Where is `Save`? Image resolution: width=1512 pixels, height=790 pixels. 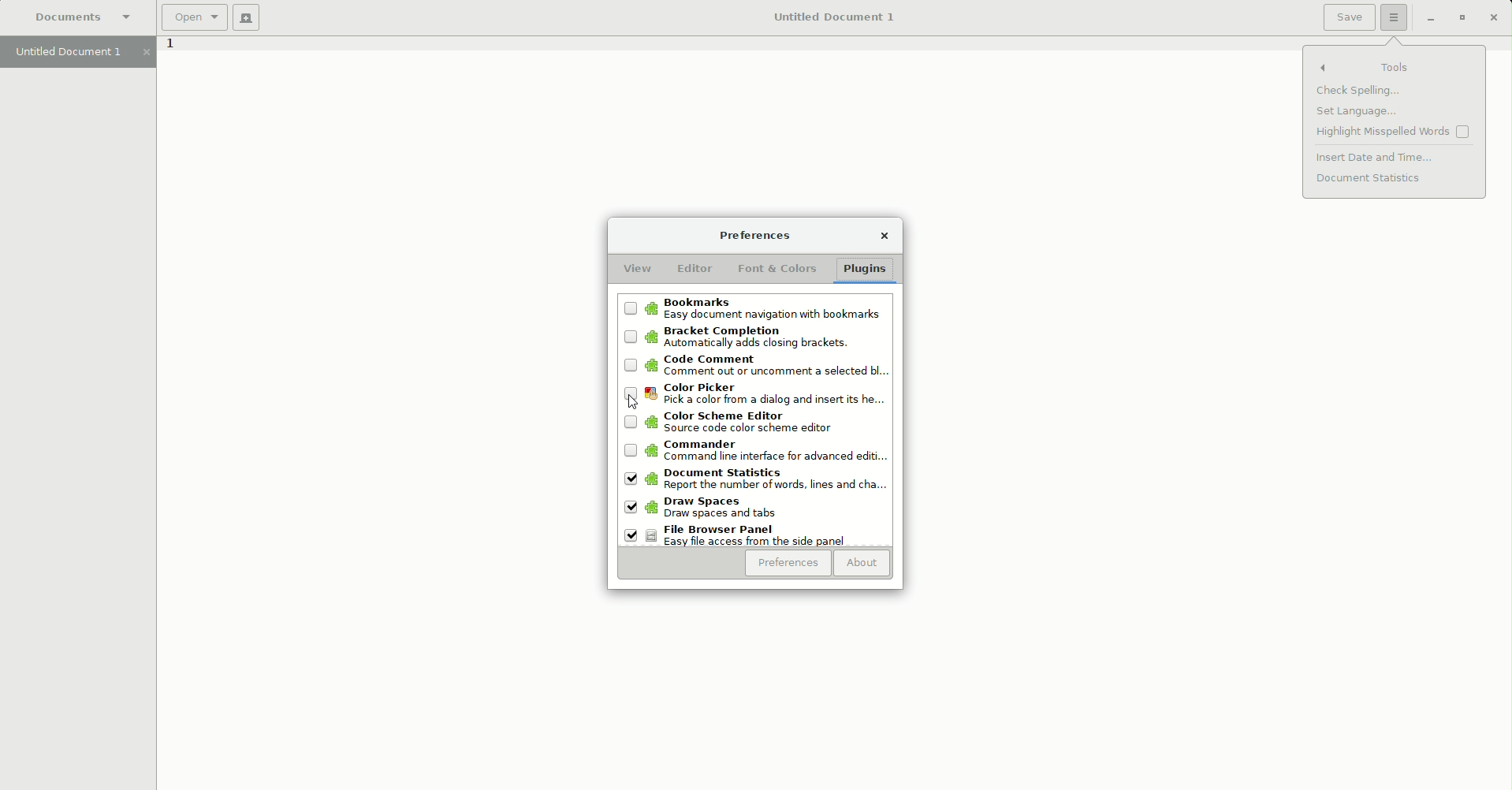
Save is located at coordinates (1349, 17).